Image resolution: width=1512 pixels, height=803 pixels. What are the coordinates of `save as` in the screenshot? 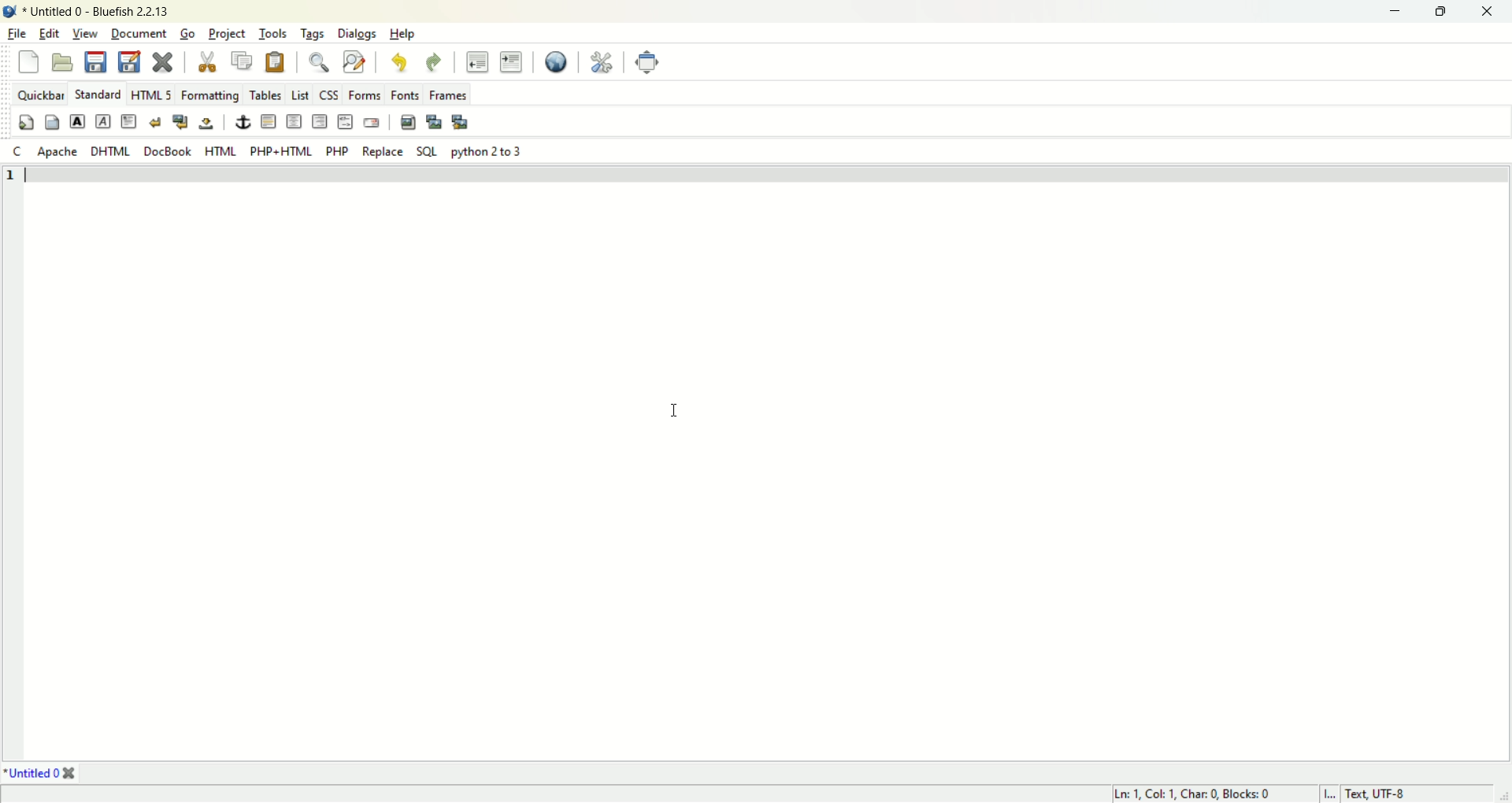 It's located at (131, 61).